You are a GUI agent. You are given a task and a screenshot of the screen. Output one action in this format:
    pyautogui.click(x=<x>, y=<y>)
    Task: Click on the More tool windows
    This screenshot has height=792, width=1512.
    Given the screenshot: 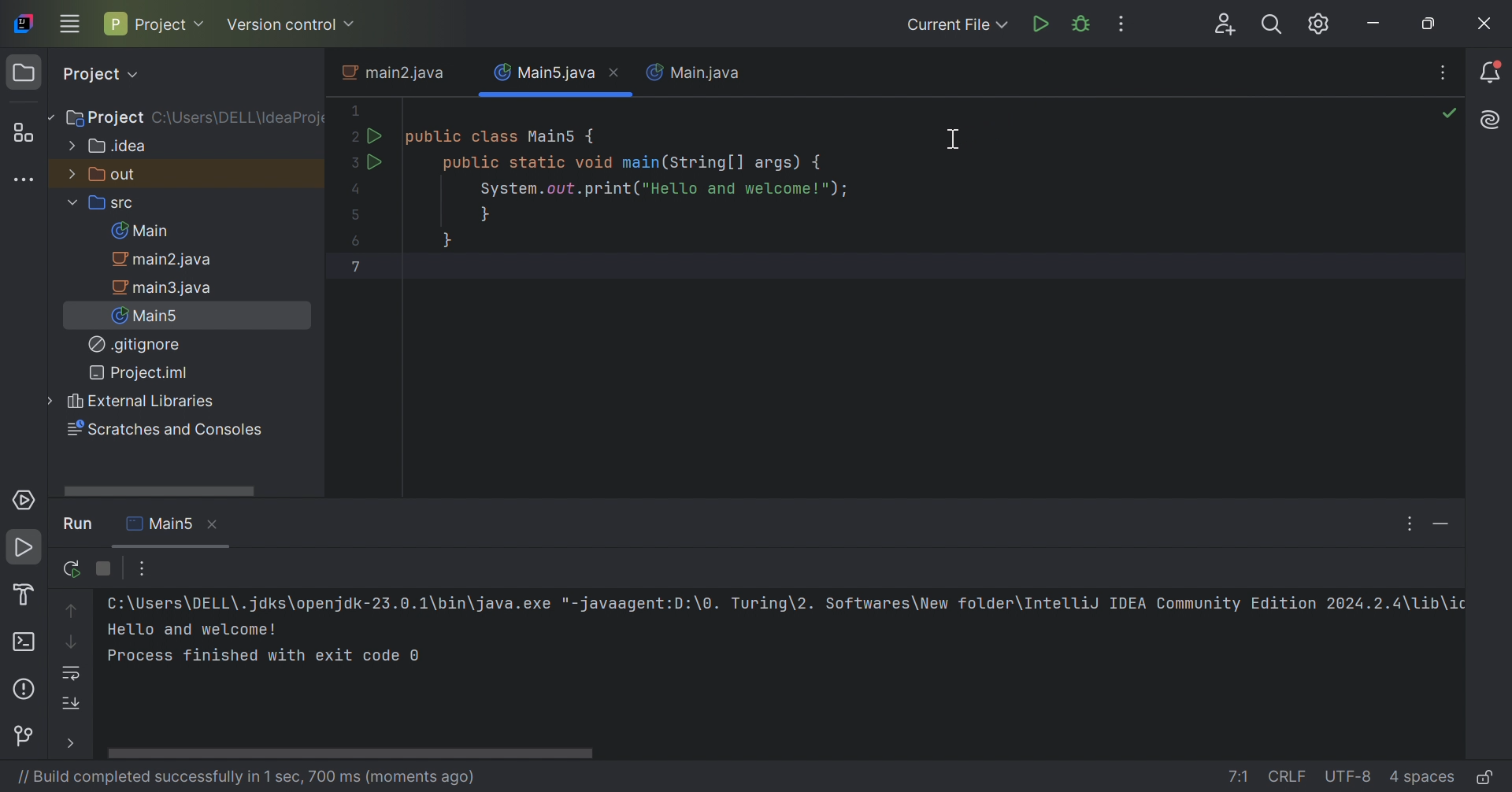 What is the action you would take?
    pyautogui.click(x=26, y=180)
    